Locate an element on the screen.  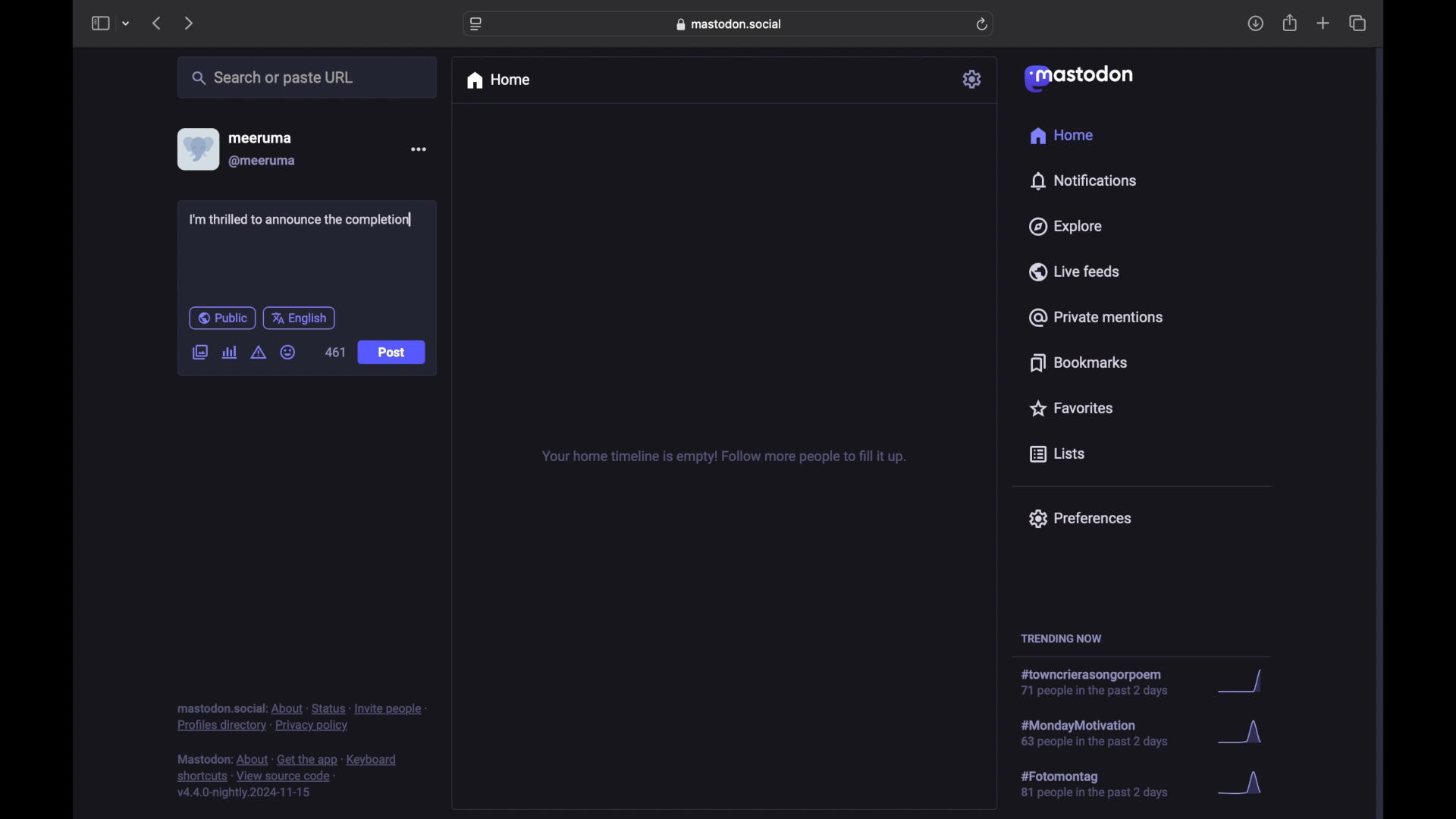
notifications is located at coordinates (1083, 181).